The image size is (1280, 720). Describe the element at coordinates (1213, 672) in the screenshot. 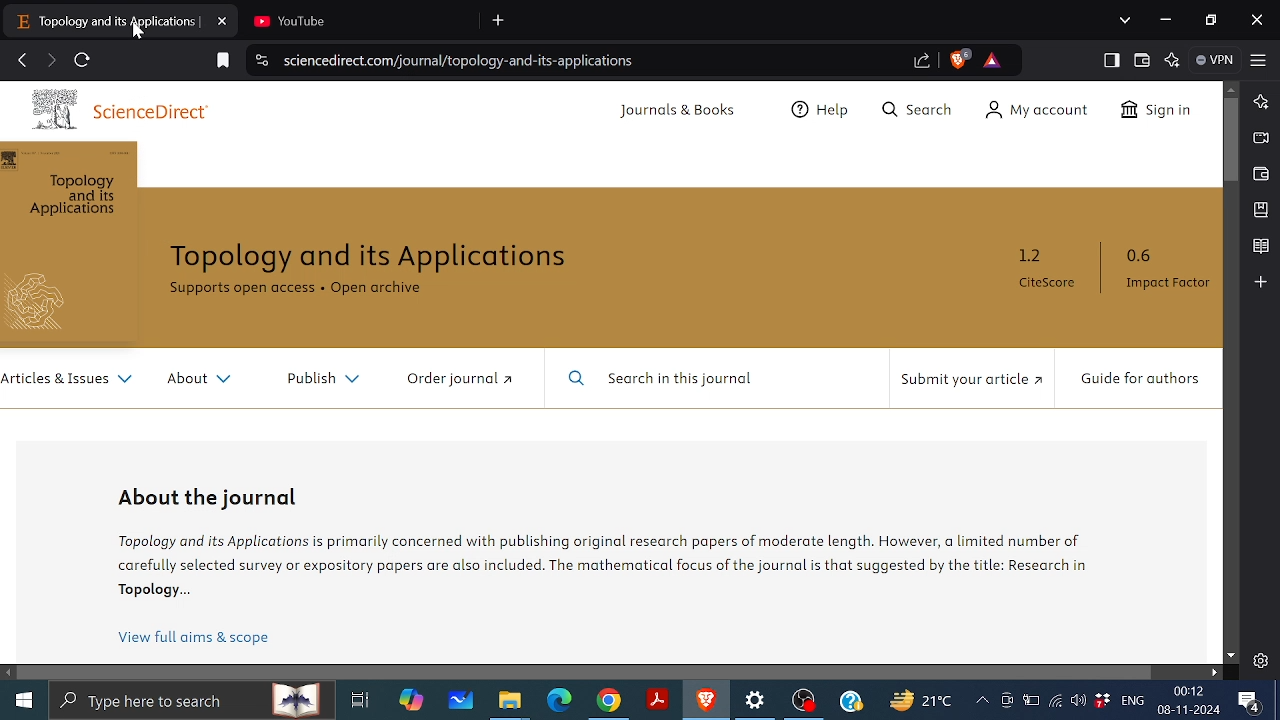

I see `Move right` at that location.